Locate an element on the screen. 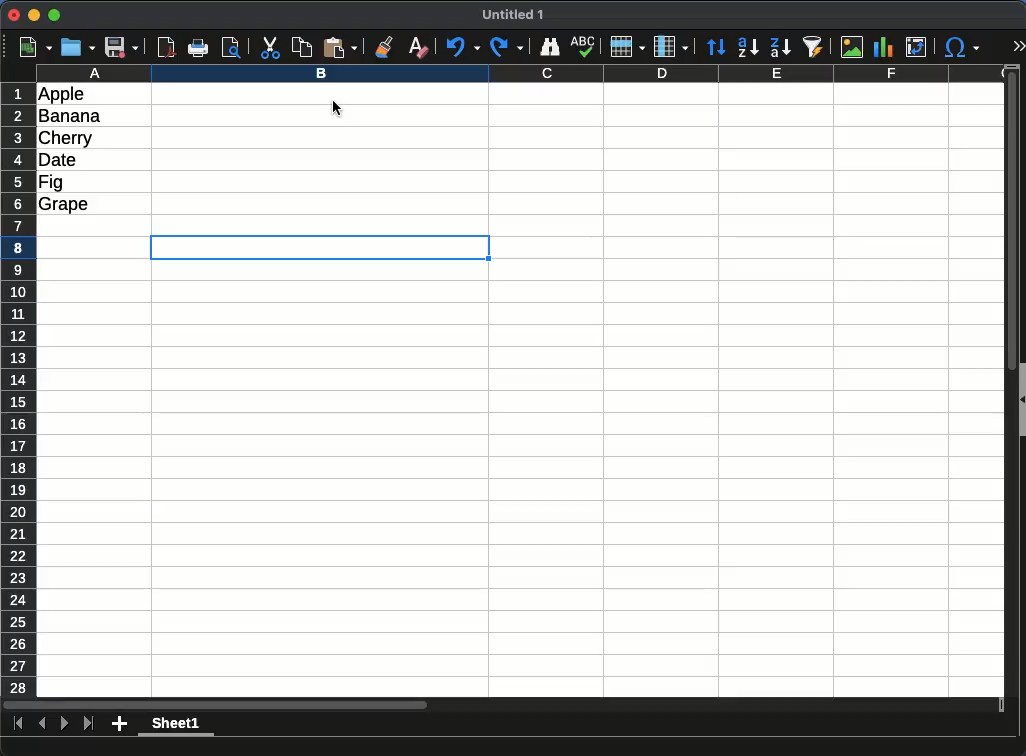 The height and width of the screenshot is (756, 1026). Untitled 1 is located at coordinates (513, 14).